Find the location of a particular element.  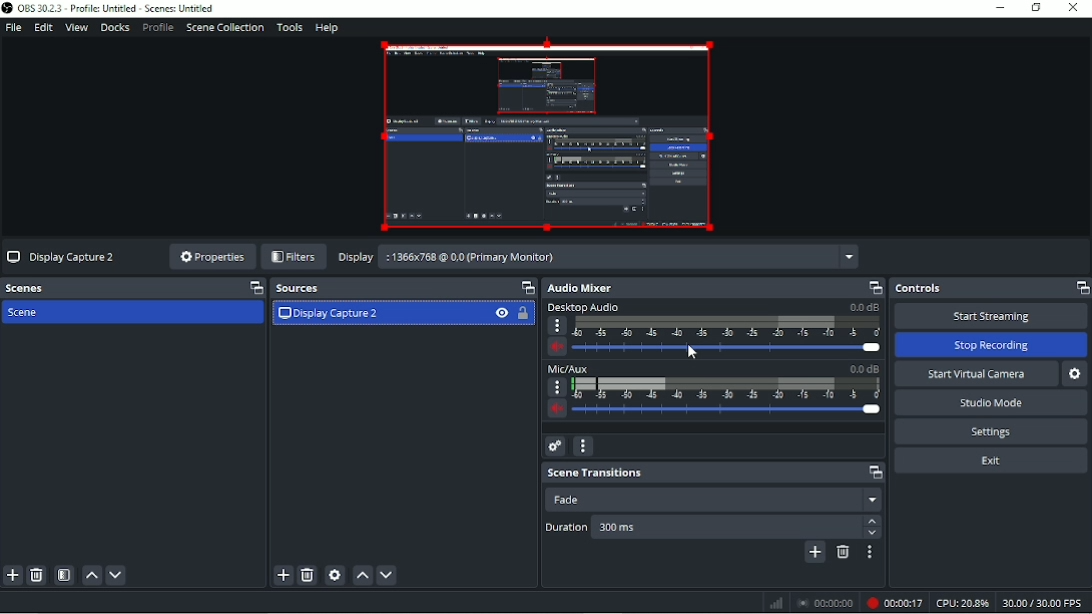

Transition properties is located at coordinates (870, 553).